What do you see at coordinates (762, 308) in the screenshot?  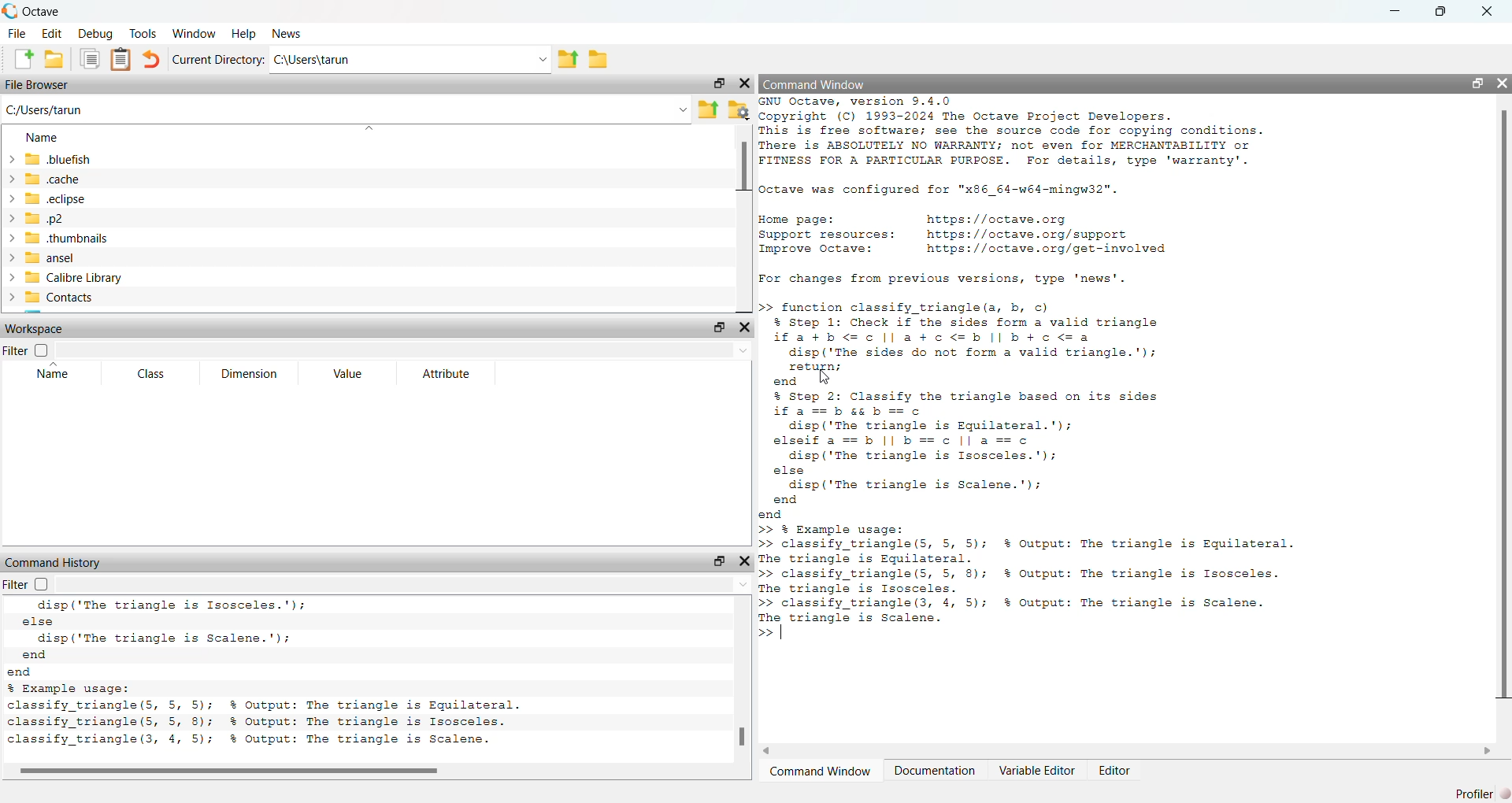 I see `prompt cursor` at bounding box center [762, 308].